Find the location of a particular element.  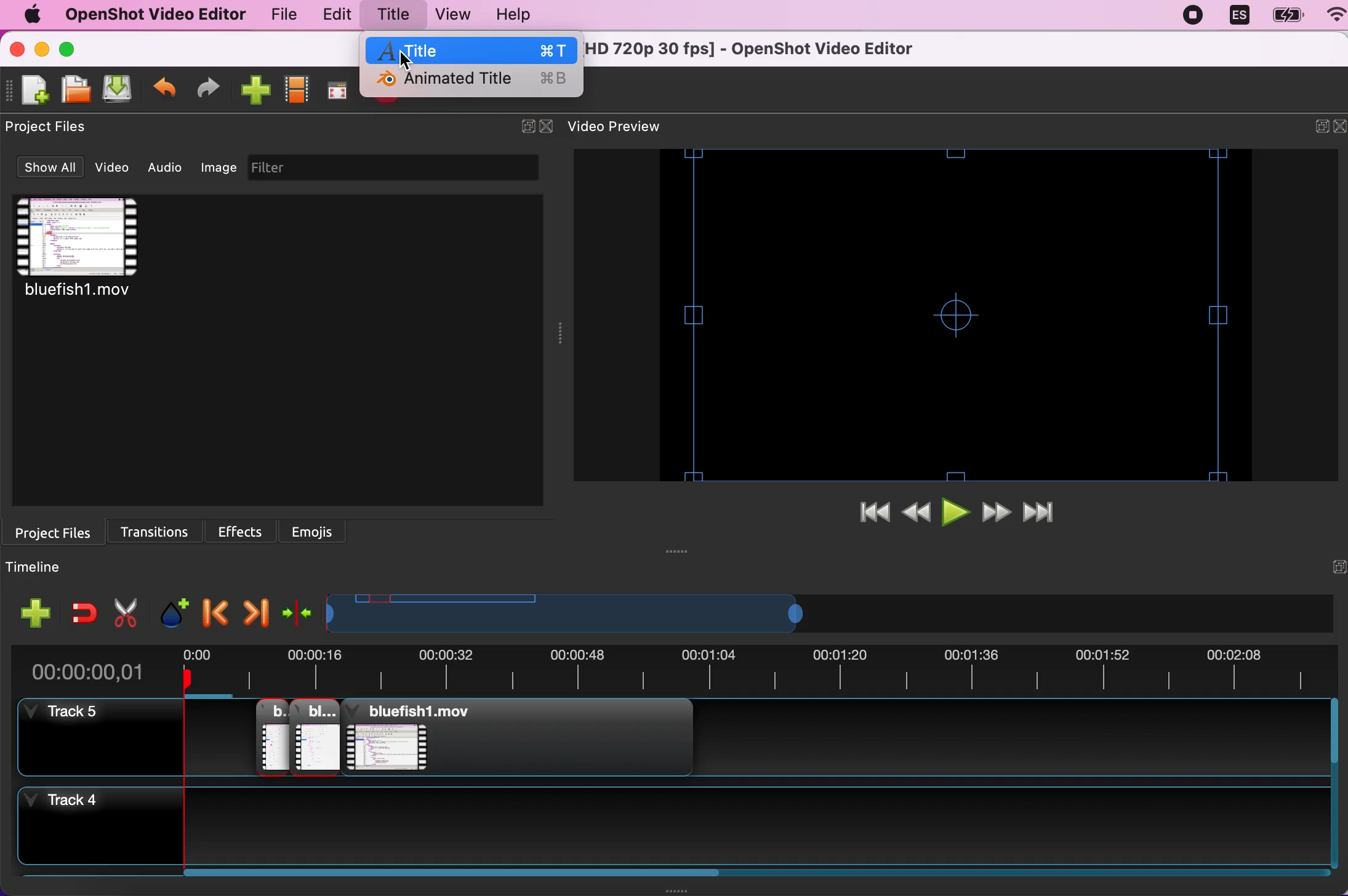

enable snapping is located at coordinates (84, 612).